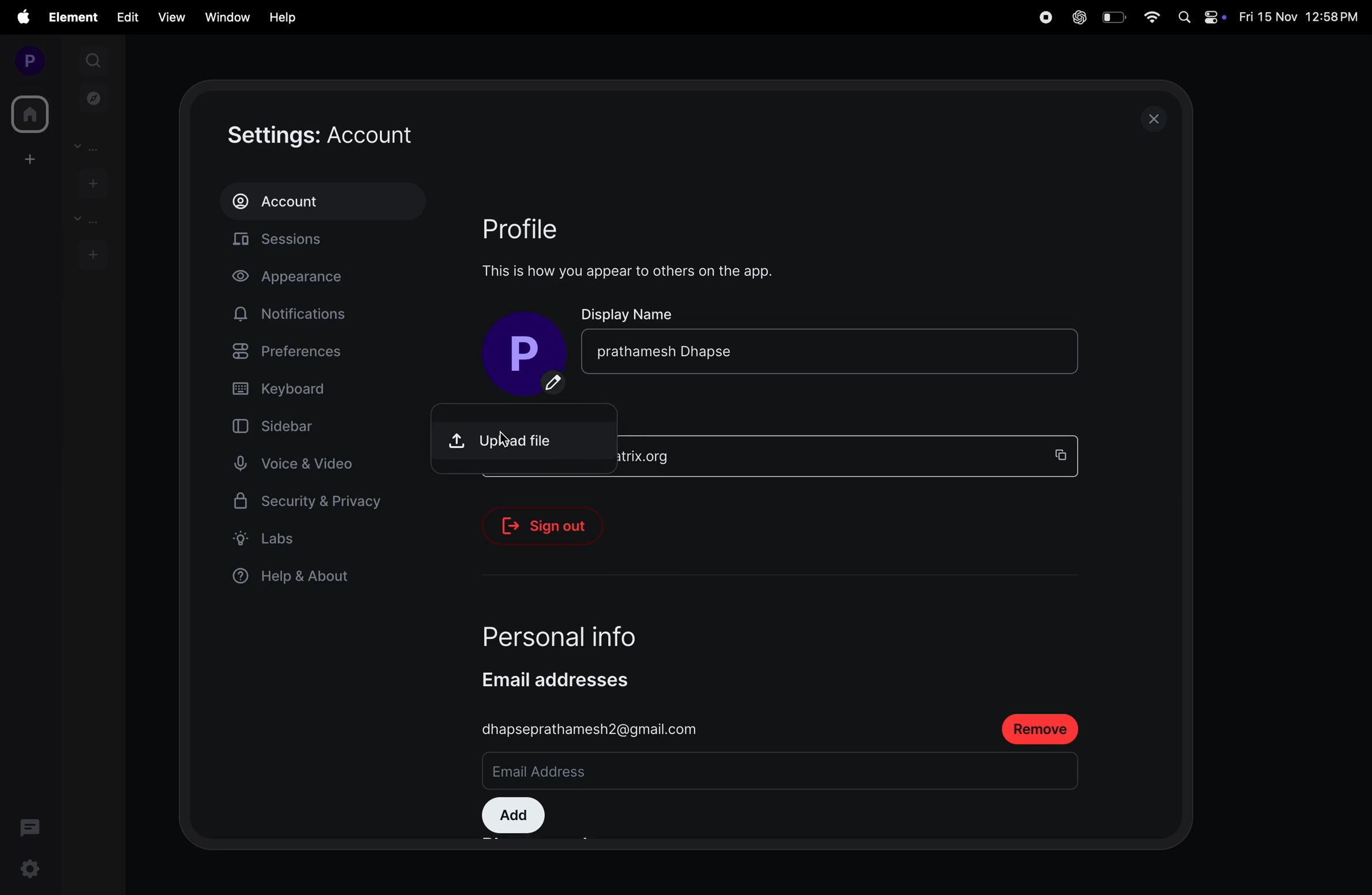 The image size is (1372, 895). What do you see at coordinates (284, 17) in the screenshot?
I see `Help` at bounding box center [284, 17].